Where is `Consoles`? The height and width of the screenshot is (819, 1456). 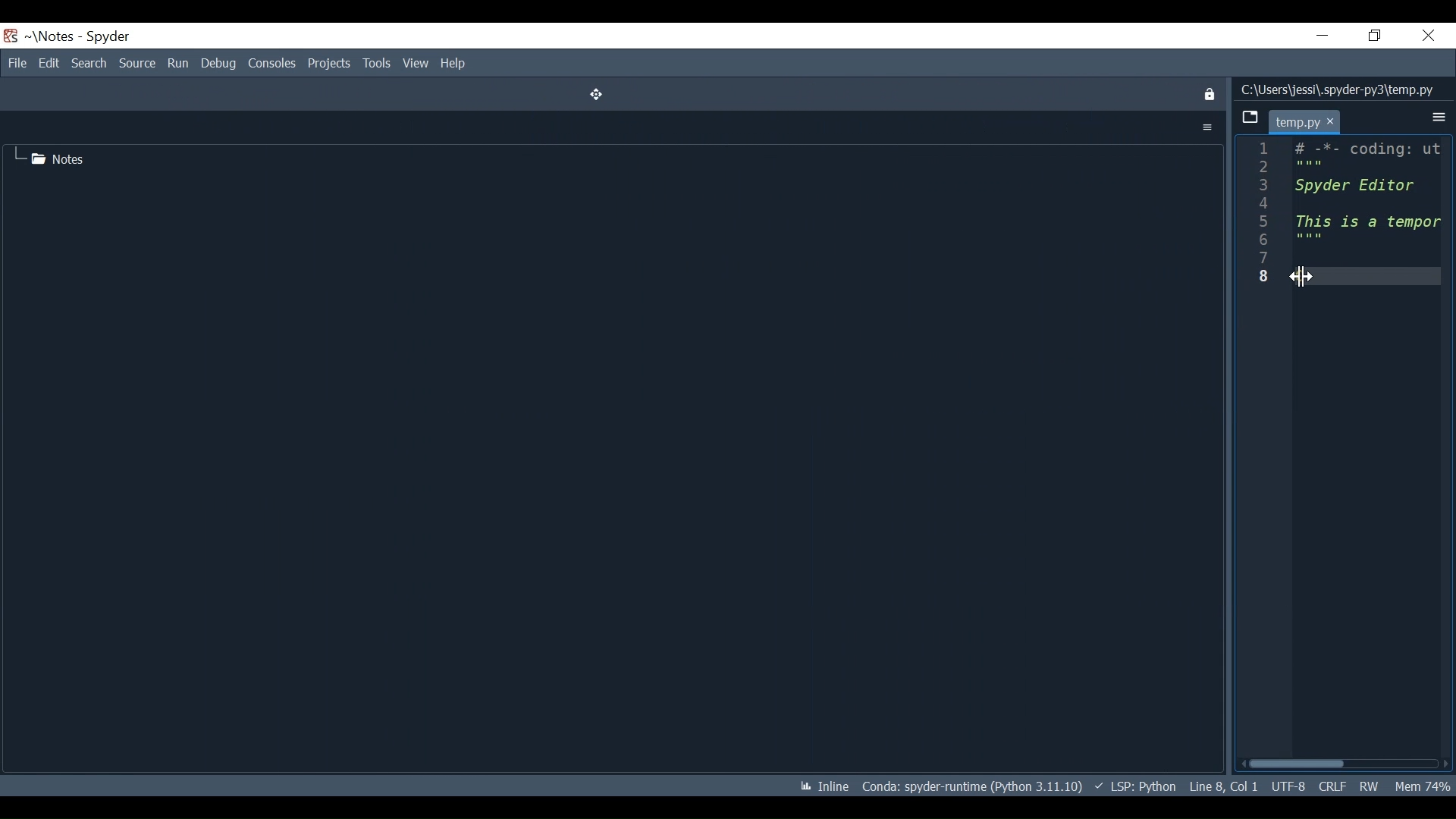
Consoles is located at coordinates (272, 64).